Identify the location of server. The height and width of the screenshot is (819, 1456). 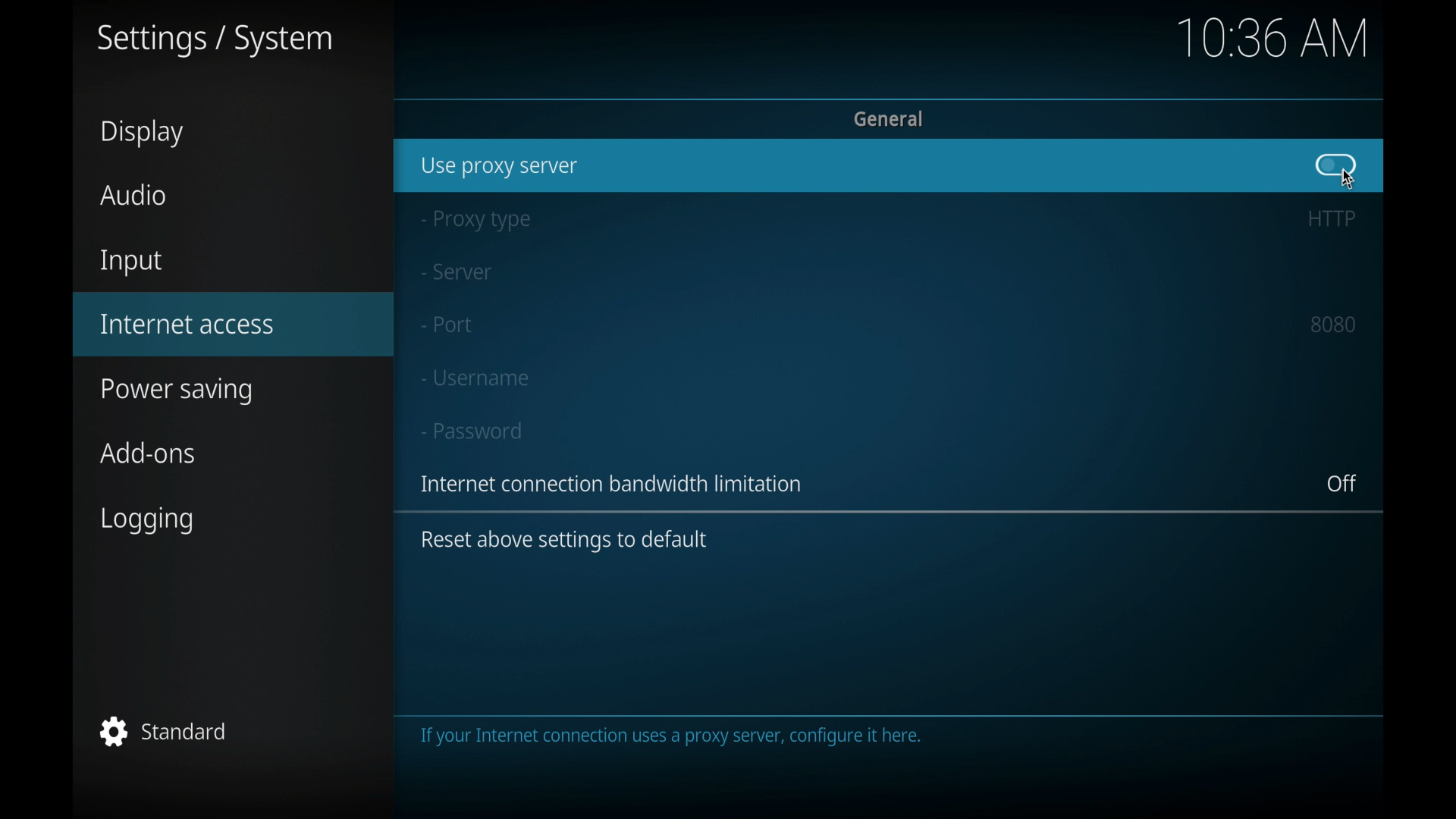
(456, 272).